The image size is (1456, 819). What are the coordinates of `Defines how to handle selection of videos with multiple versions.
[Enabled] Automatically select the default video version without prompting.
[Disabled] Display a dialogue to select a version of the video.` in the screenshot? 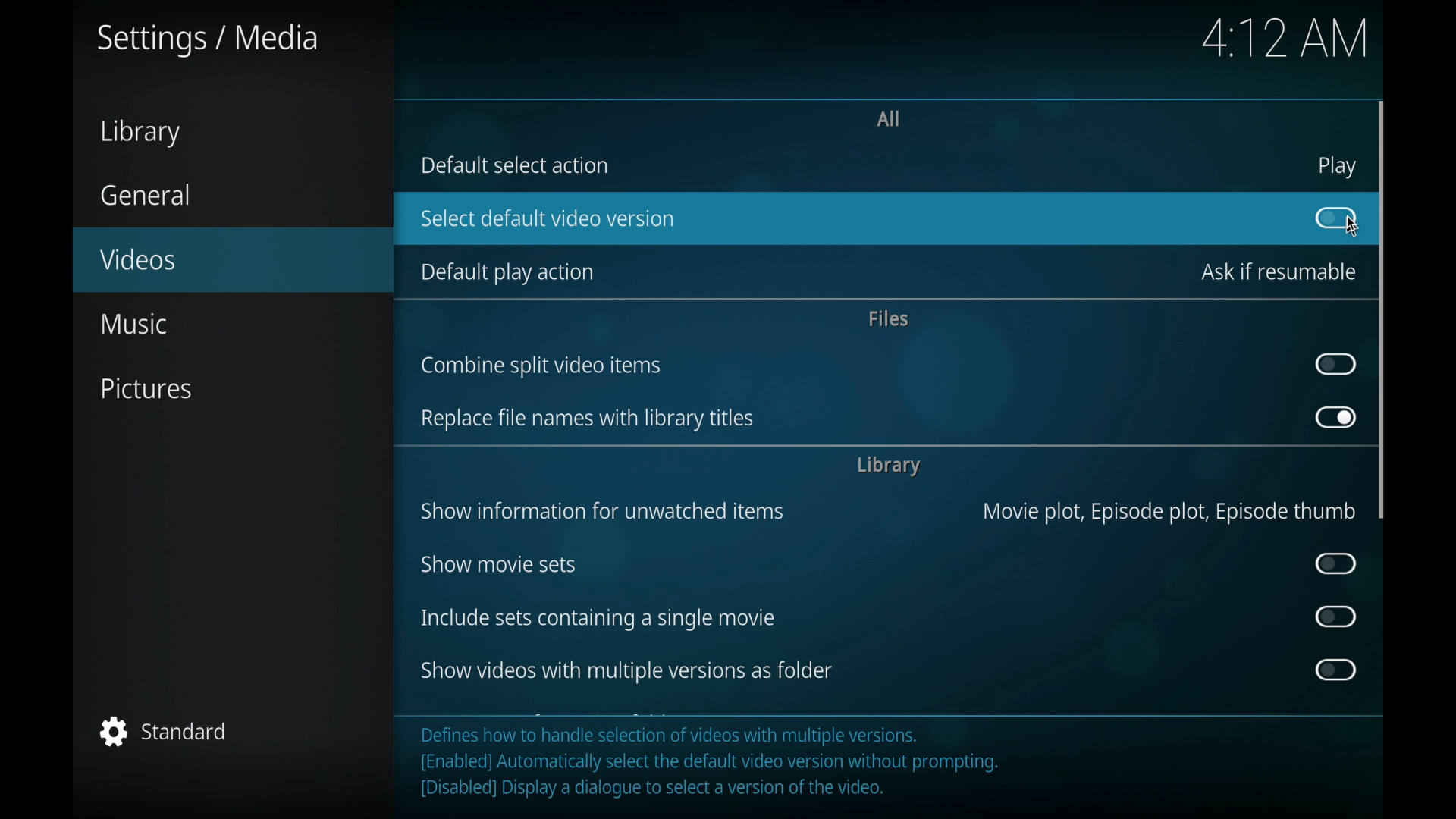 It's located at (716, 765).